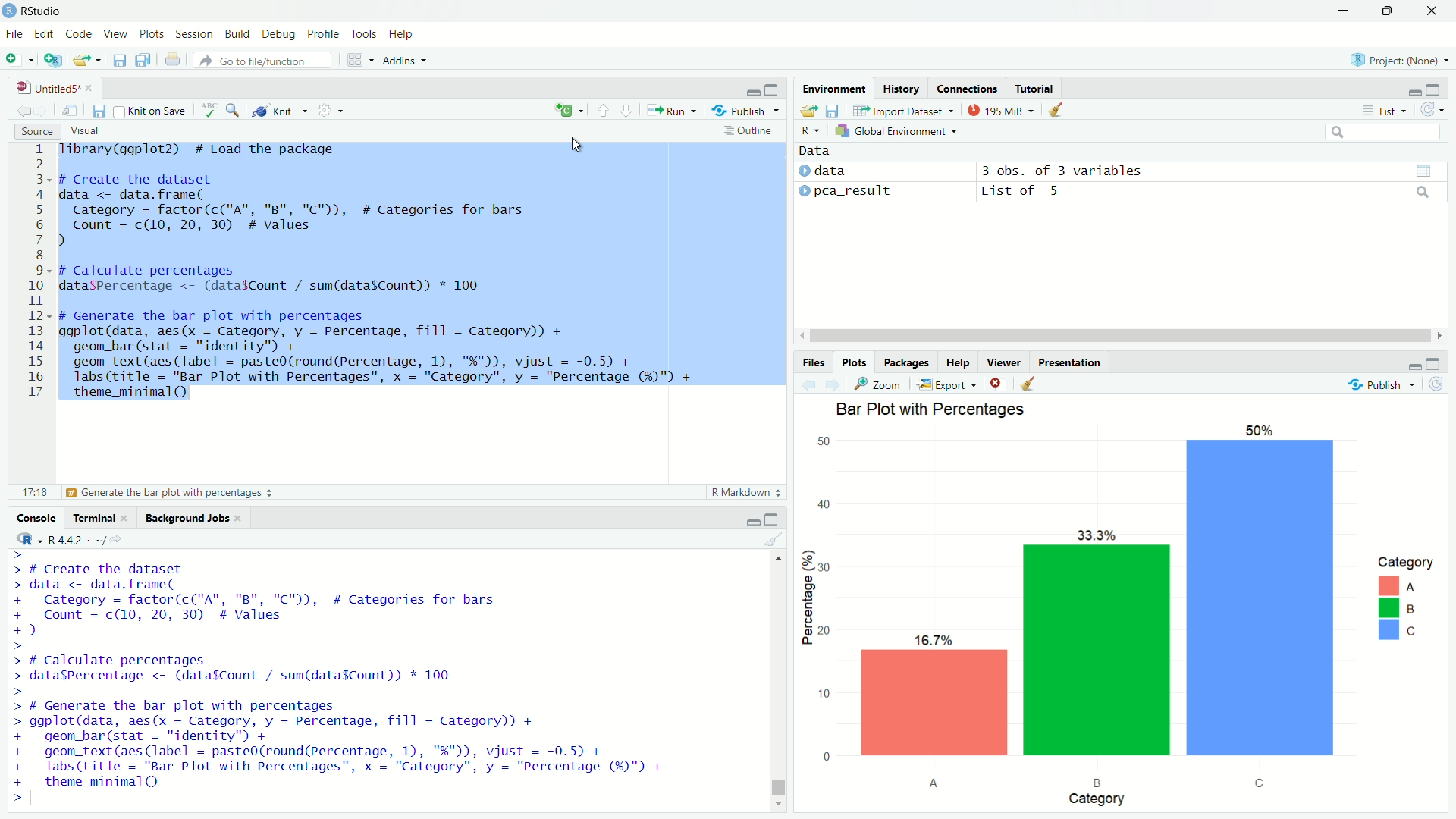  I want to click on global environment, so click(897, 130).